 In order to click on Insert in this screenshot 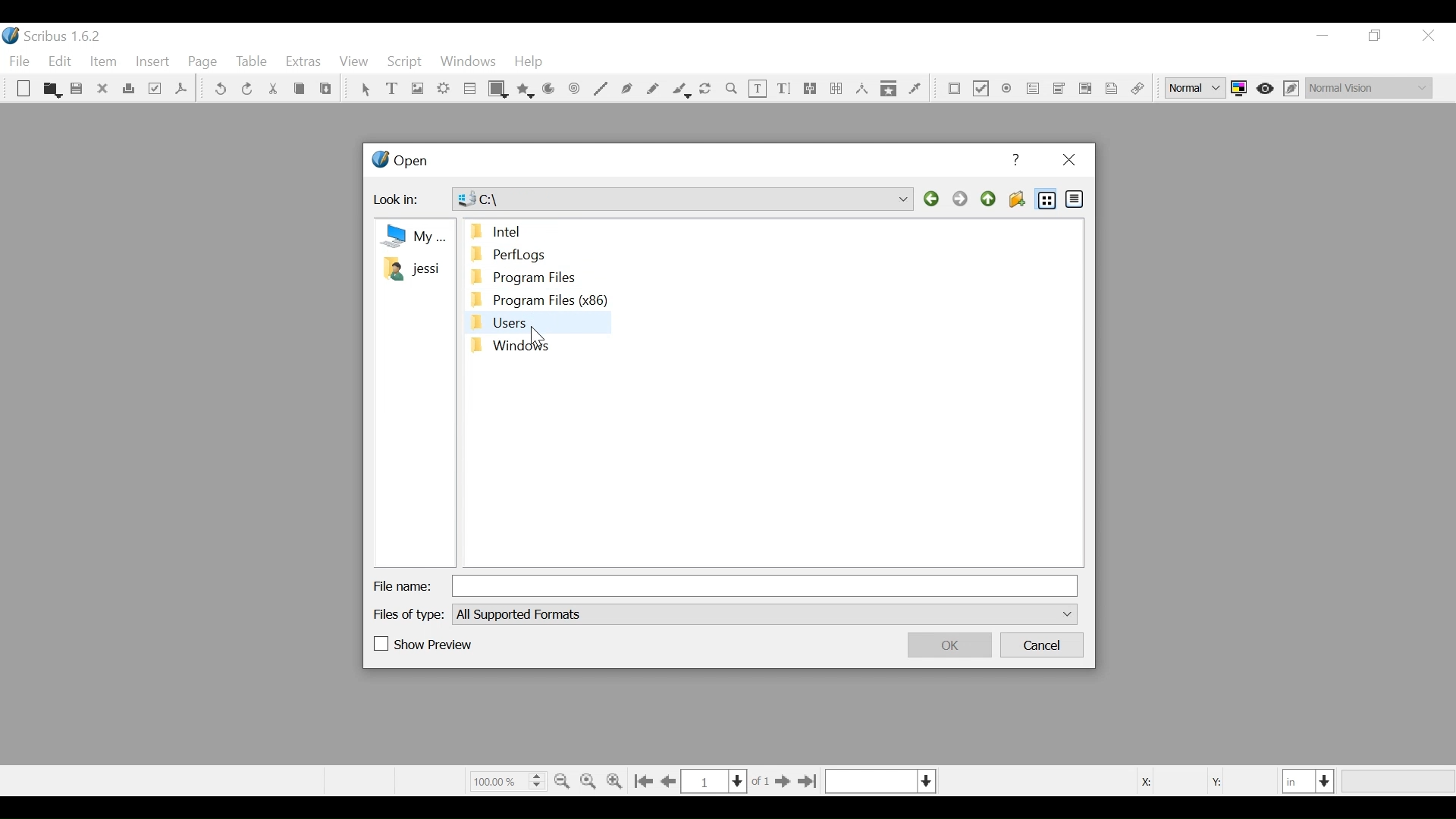, I will do `click(153, 64)`.